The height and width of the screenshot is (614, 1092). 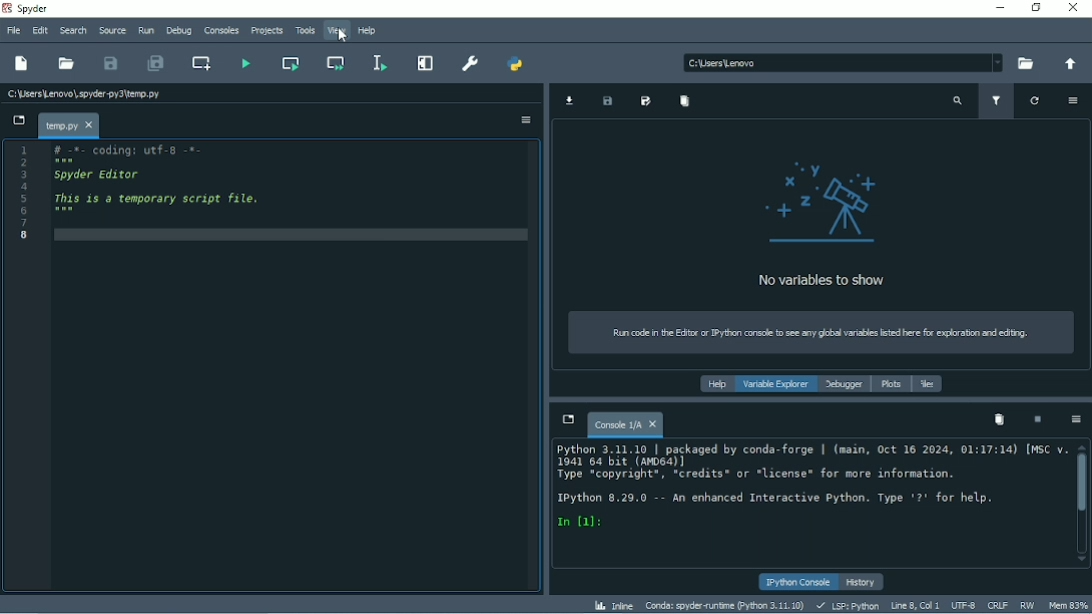 What do you see at coordinates (963, 604) in the screenshot?
I see `UTF` at bounding box center [963, 604].